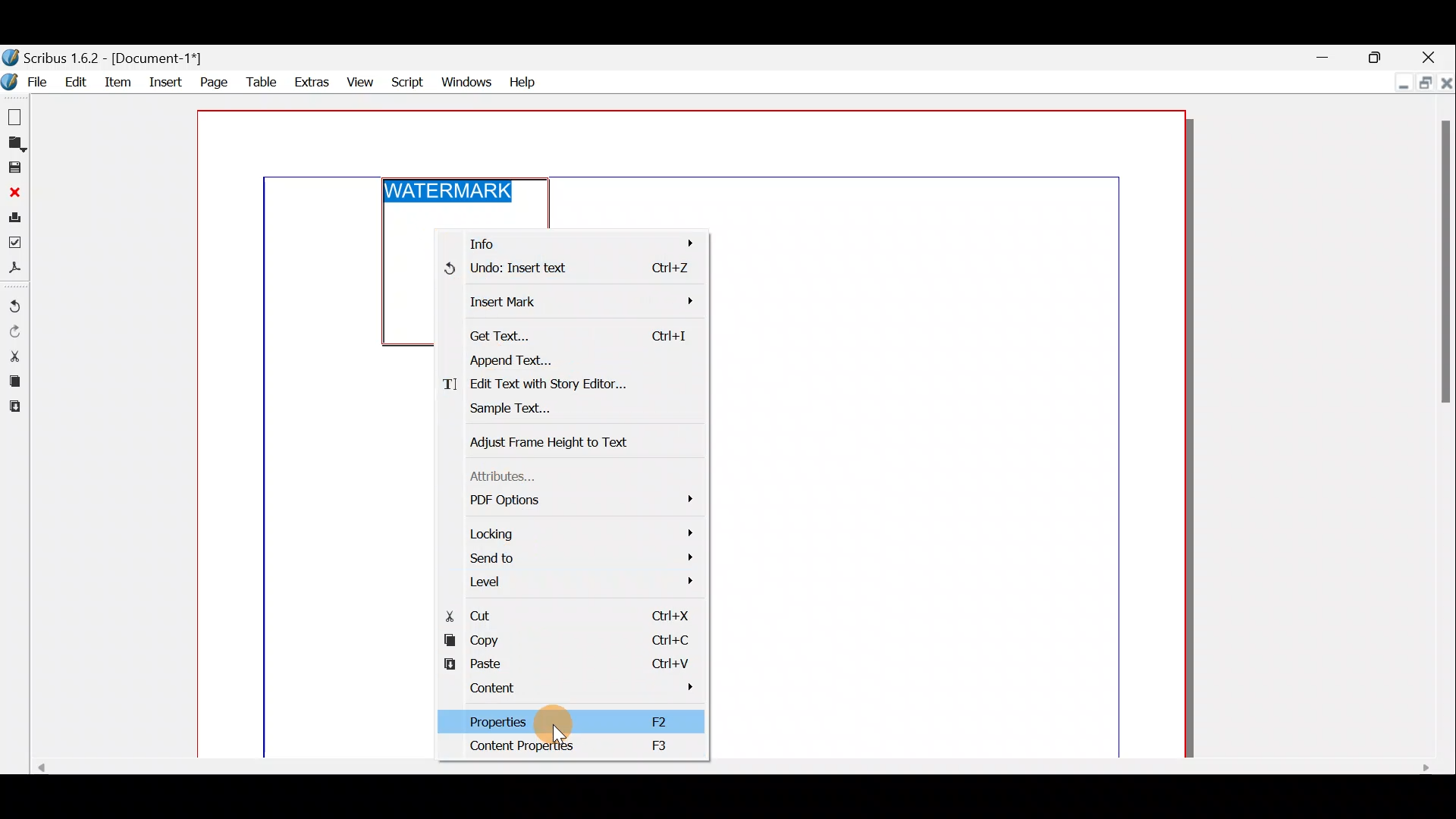  Describe the element at coordinates (563, 613) in the screenshot. I see `Cut` at that location.